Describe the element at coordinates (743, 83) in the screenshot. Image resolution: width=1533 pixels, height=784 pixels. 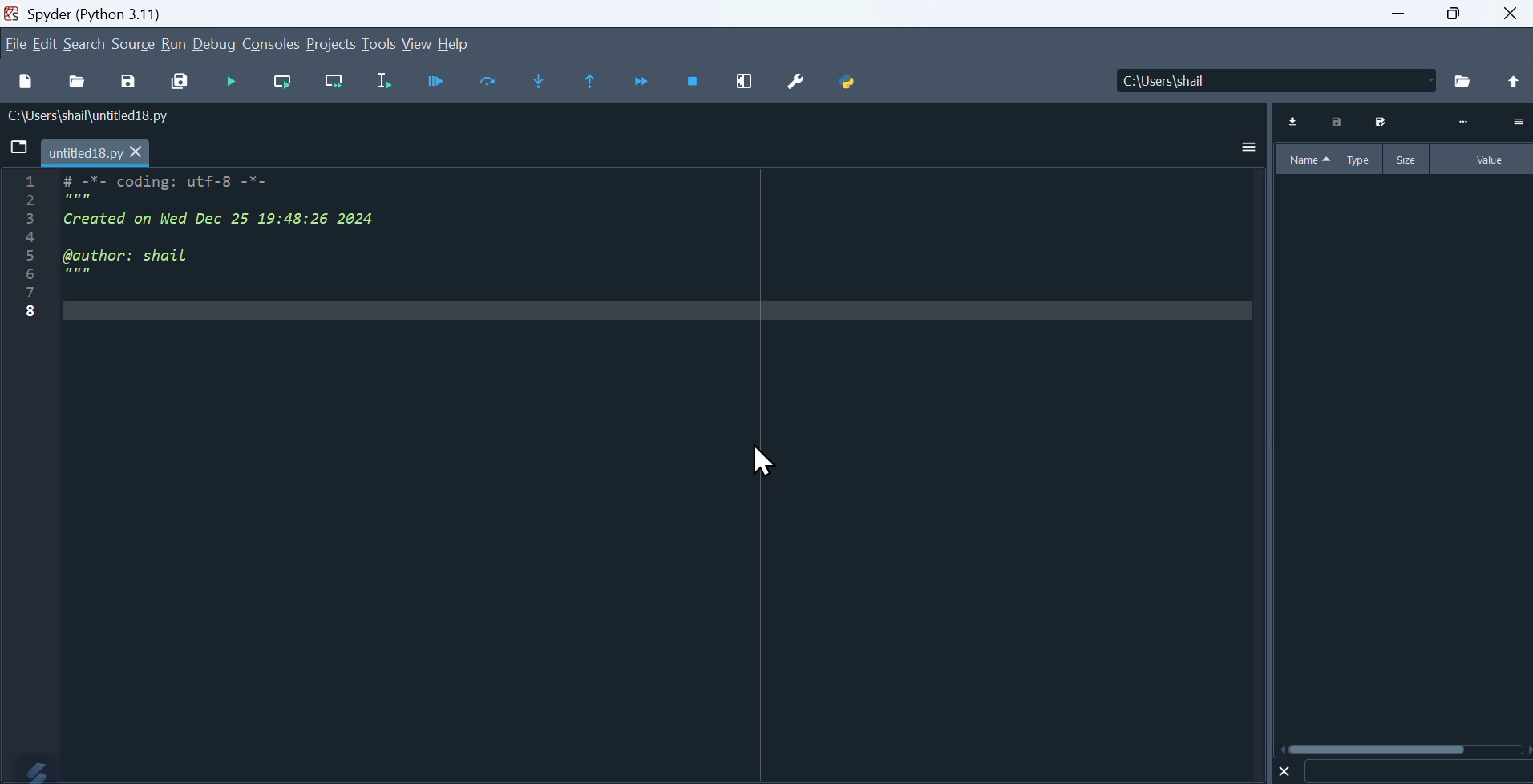
I see `Maximise current window` at that location.